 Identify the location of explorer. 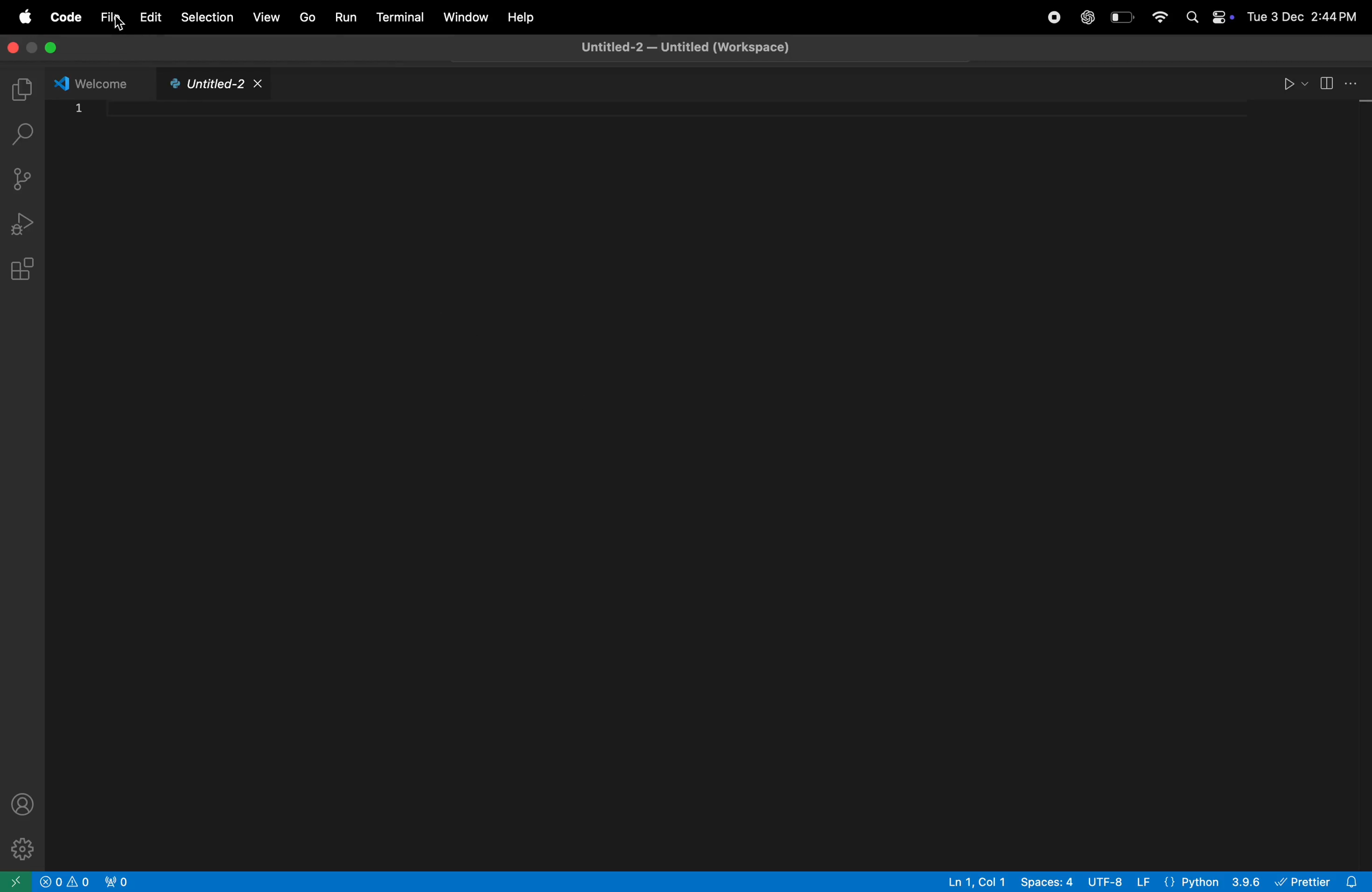
(24, 86).